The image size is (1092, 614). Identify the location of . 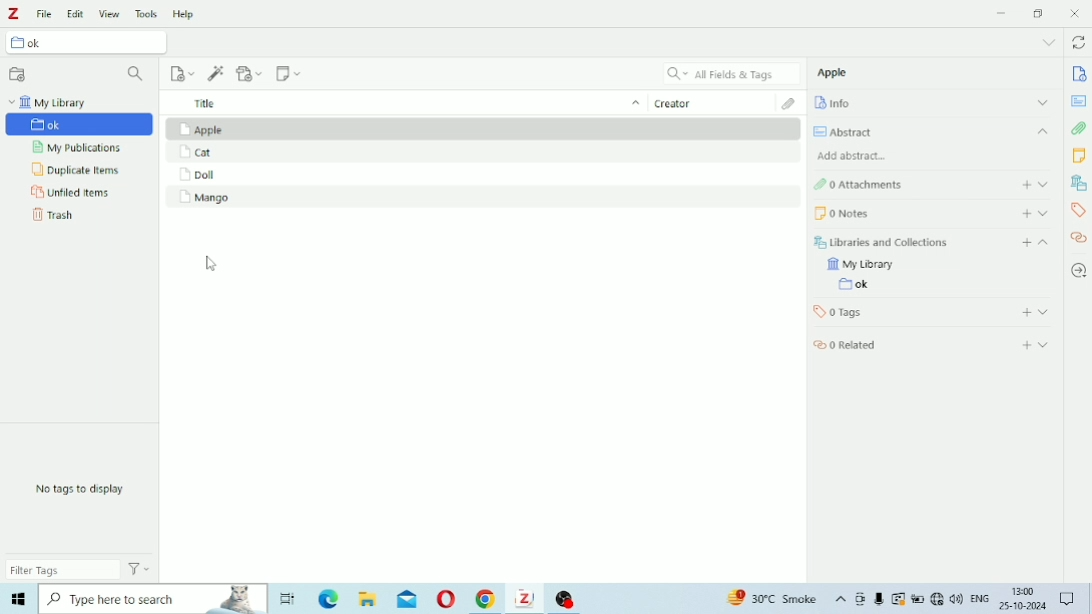
(286, 599).